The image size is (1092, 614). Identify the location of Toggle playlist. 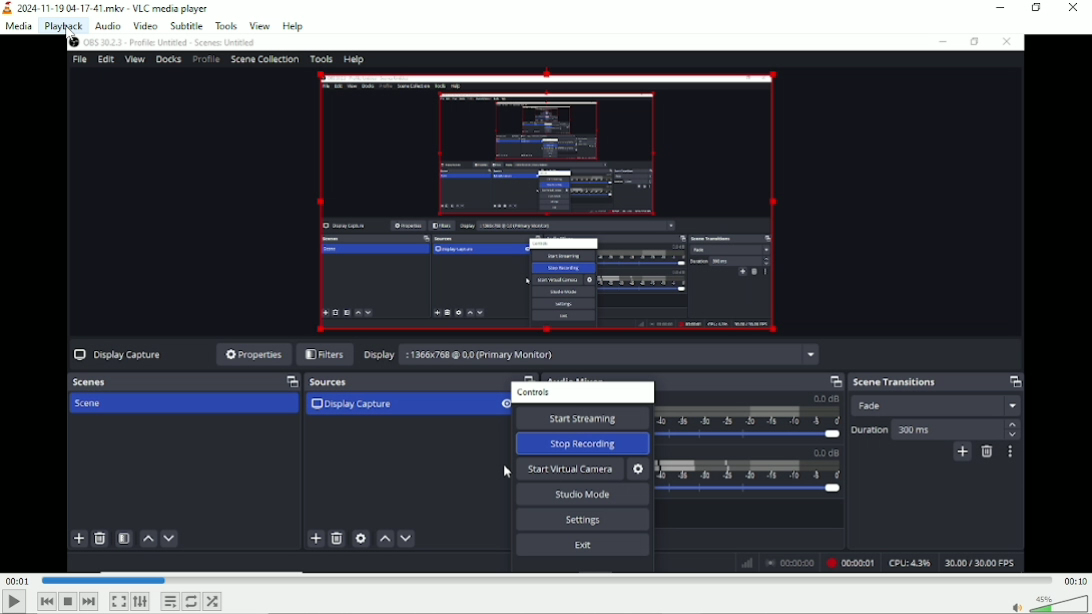
(170, 601).